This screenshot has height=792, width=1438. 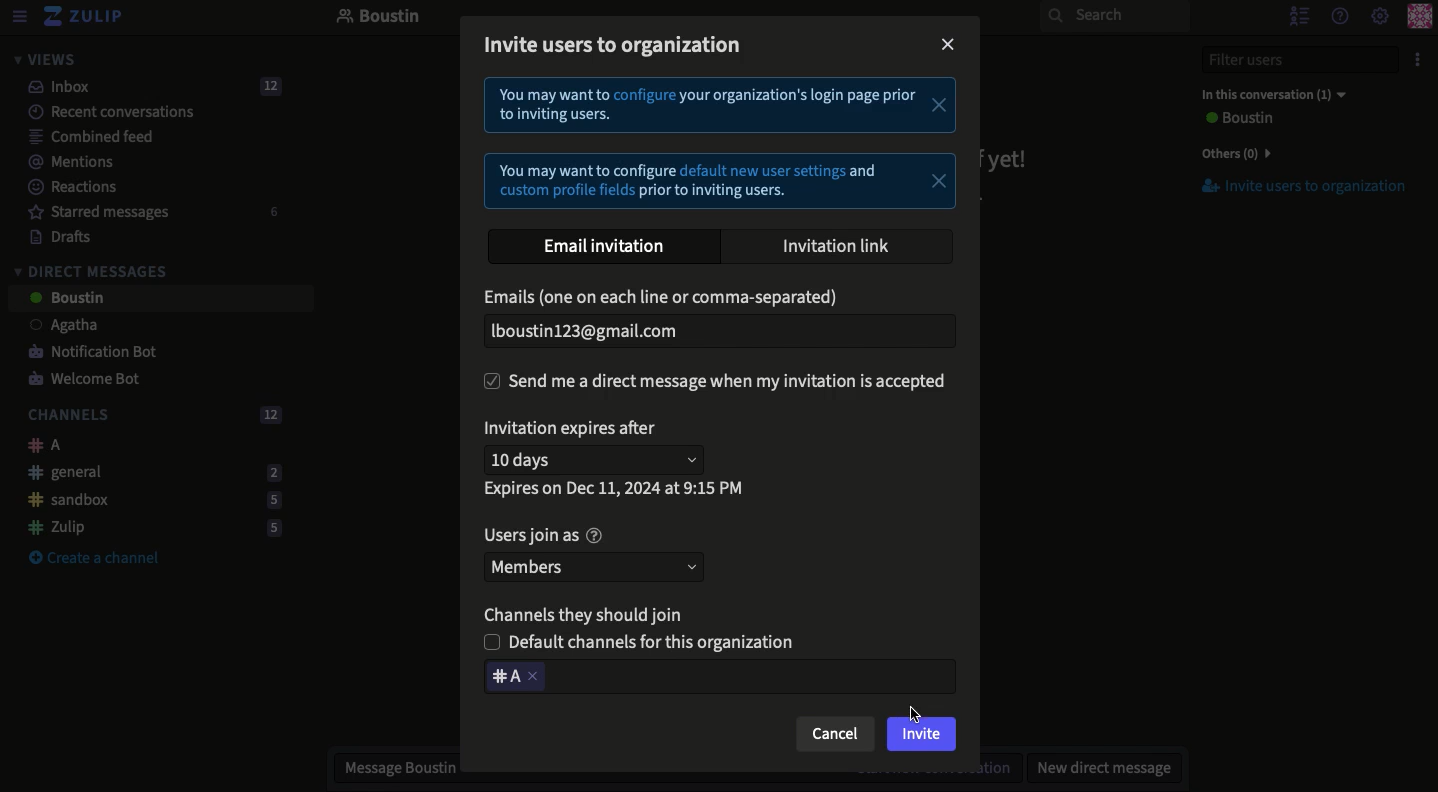 I want to click on Email invitation , so click(x=607, y=247).